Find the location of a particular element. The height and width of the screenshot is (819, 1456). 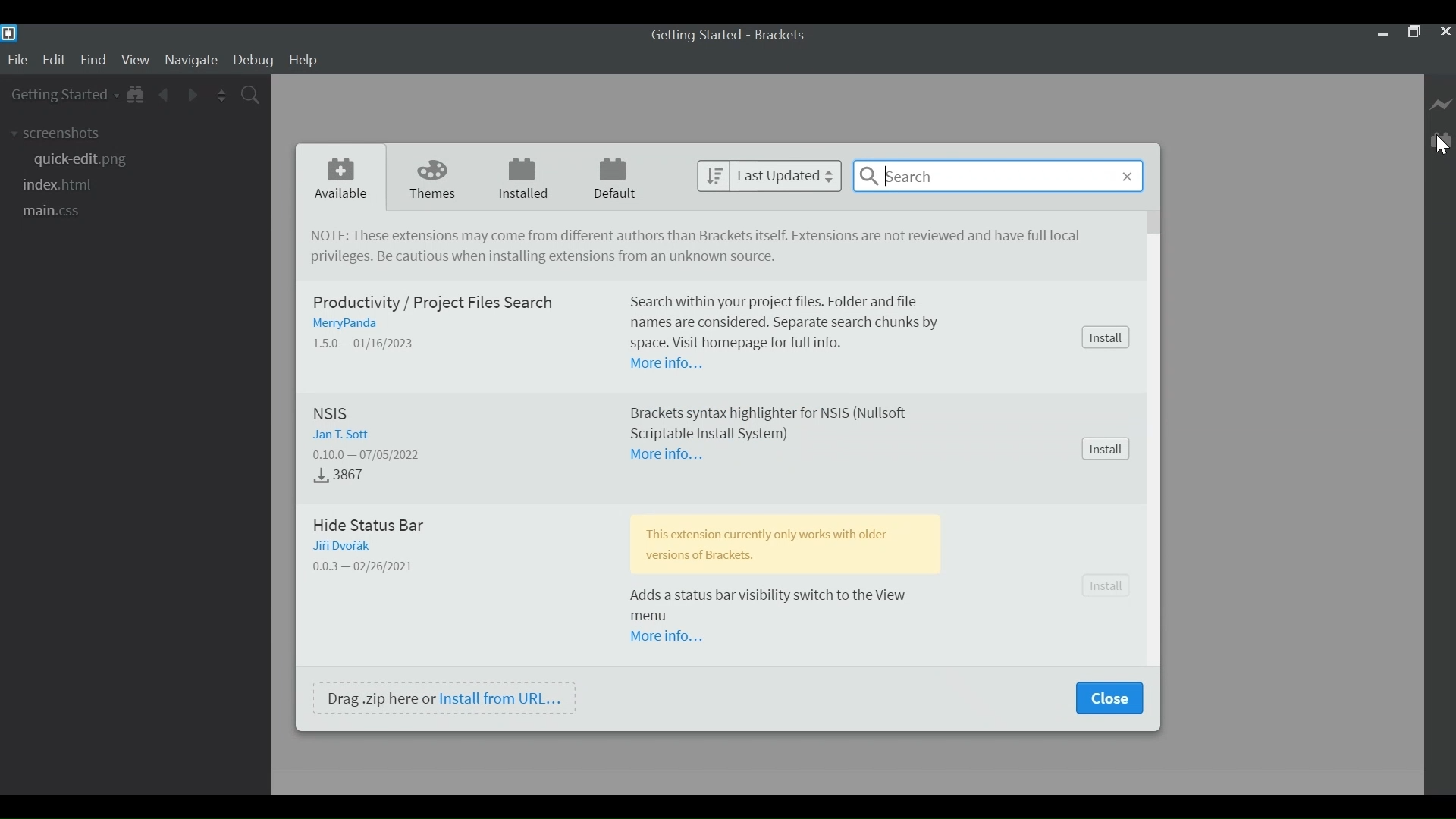

Default  is located at coordinates (616, 180).